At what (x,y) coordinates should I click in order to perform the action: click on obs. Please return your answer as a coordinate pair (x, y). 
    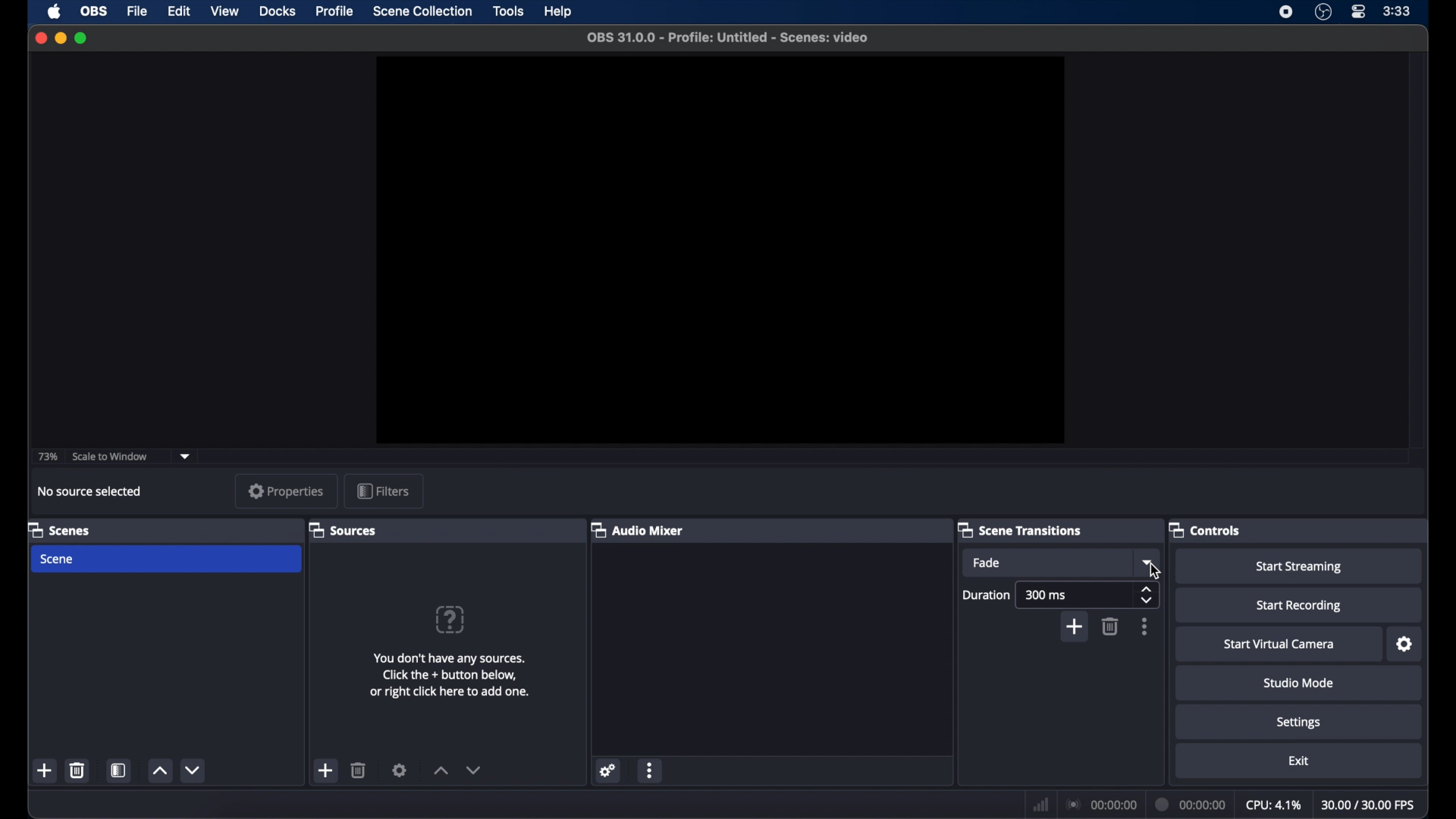
    Looking at the image, I should click on (95, 11).